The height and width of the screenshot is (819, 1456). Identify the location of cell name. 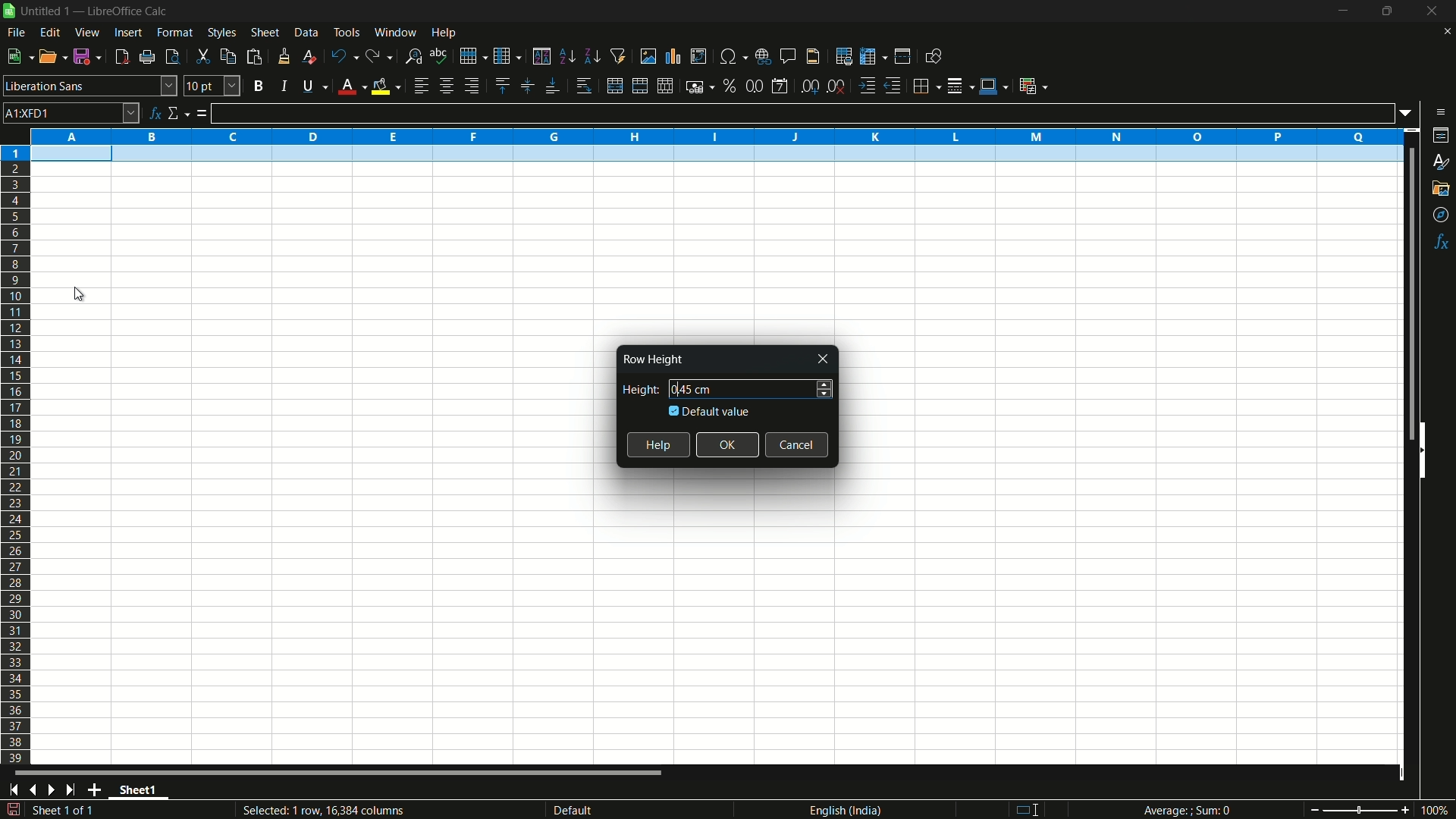
(71, 112).